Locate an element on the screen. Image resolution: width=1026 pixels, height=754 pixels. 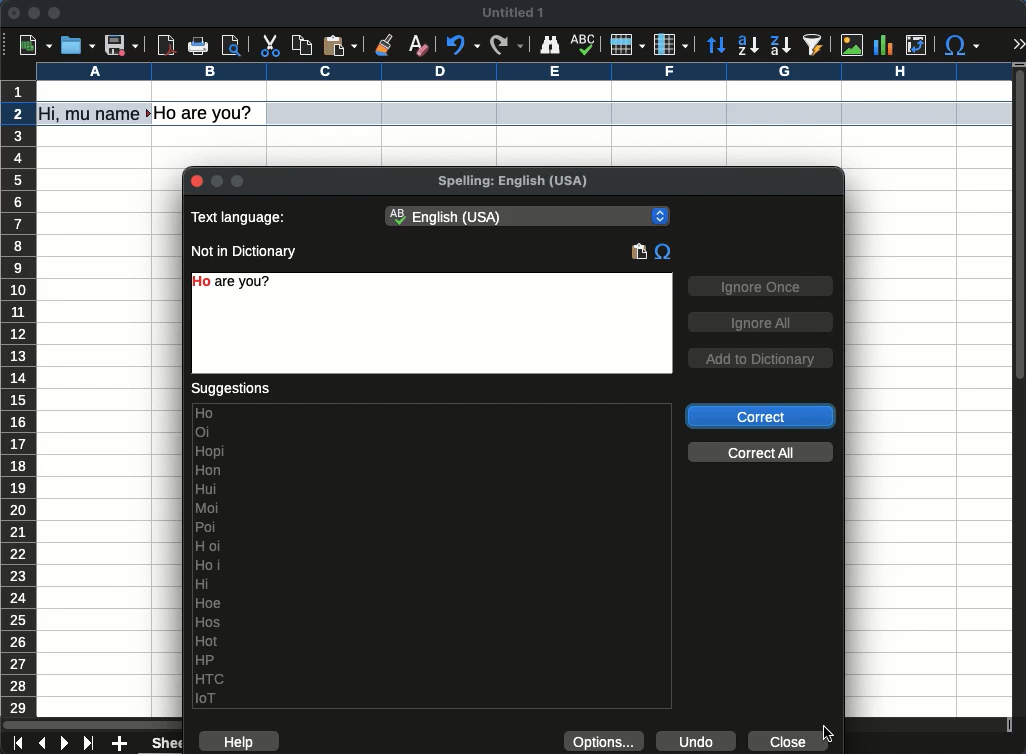
pdf preview is located at coordinates (167, 45).